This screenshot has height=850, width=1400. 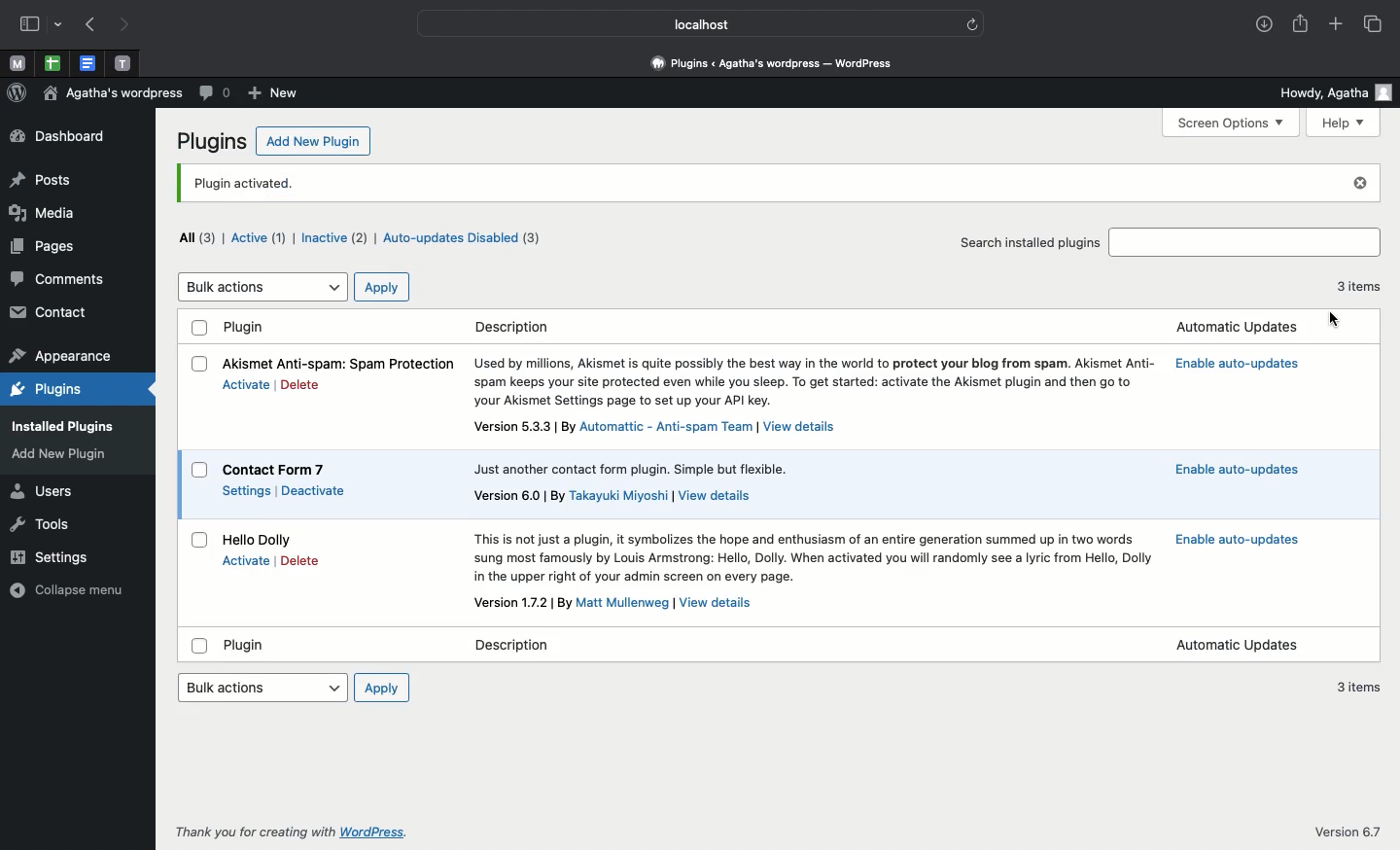 What do you see at coordinates (1236, 124) in the screenshot?
I see `screen options` at bounding box center [1236, 124].